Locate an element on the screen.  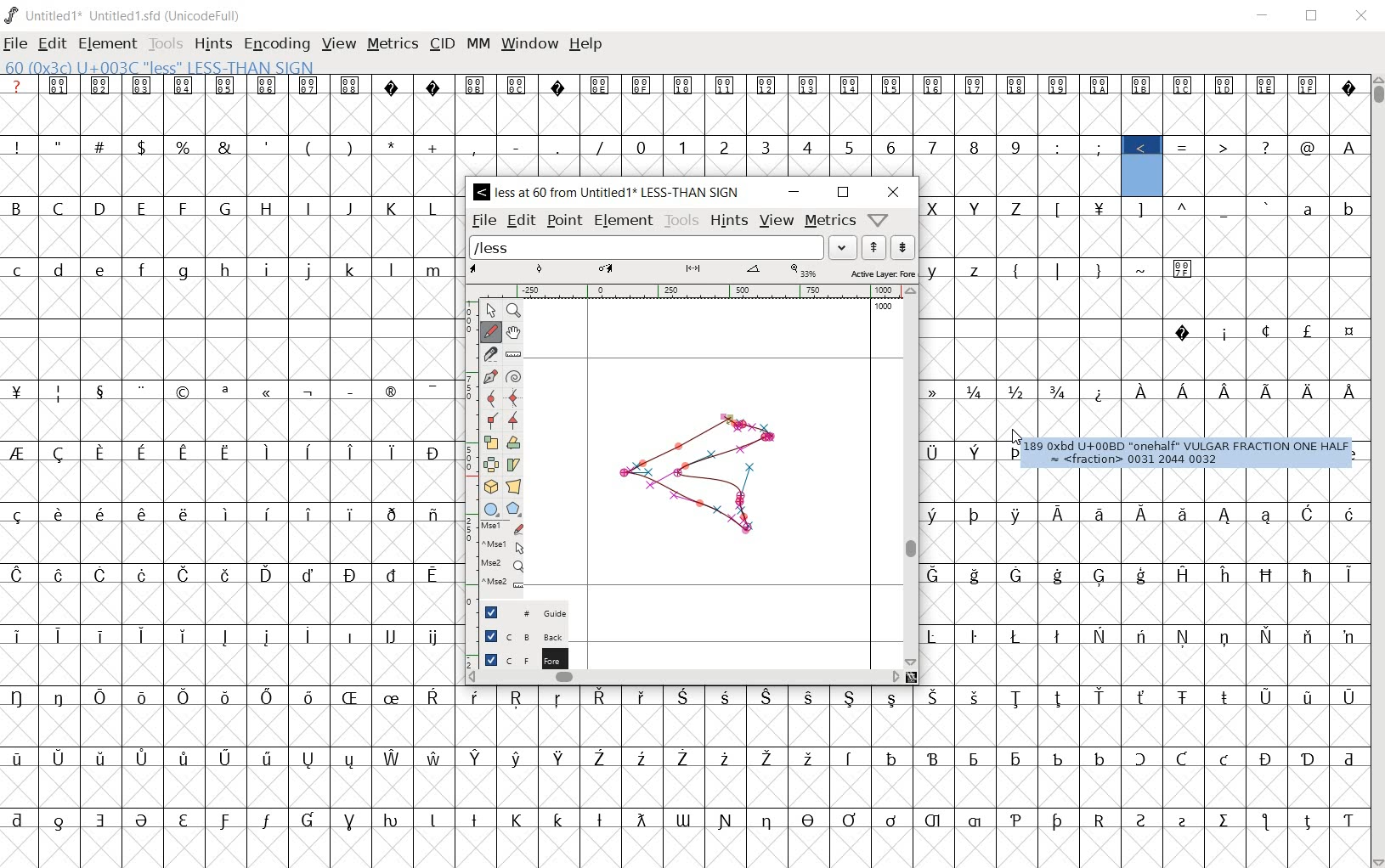
empty cells is located at coordinates (1136, 420).